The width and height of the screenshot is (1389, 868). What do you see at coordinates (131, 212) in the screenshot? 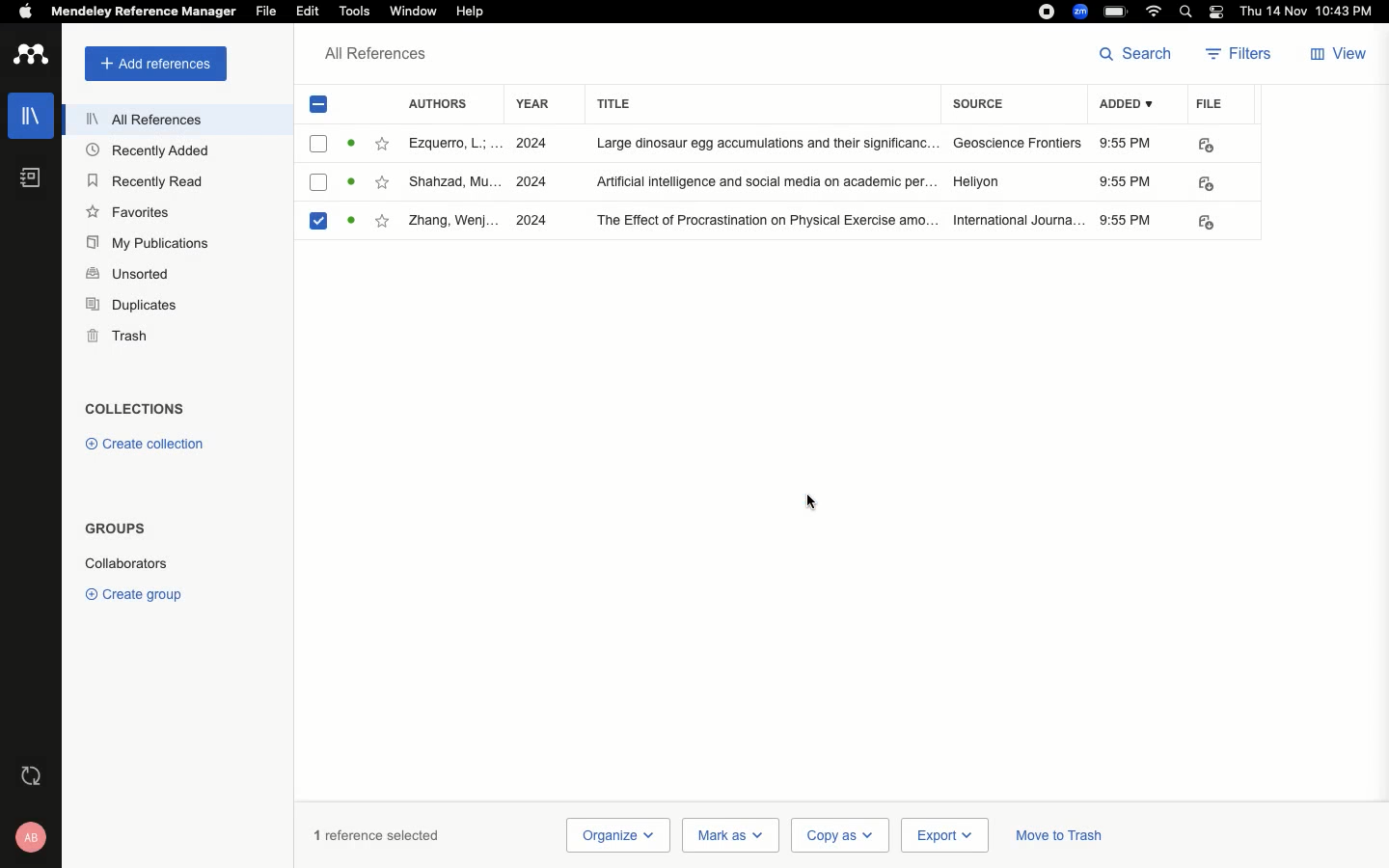
I see `Favorites` at bounding box center [131, 212].